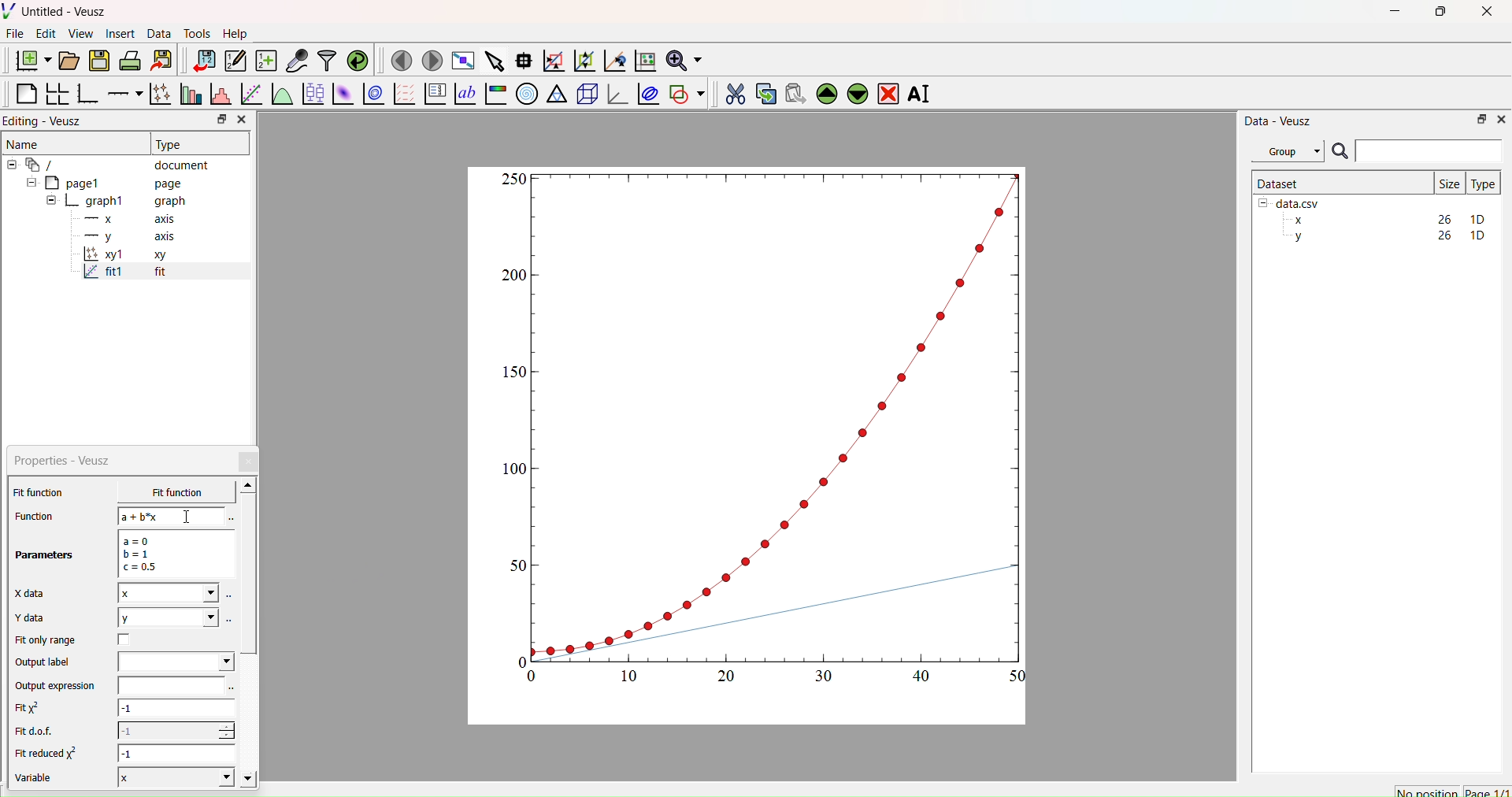 This screenshot has width=1512, height=797. I want to click on Arrange graphs in grid, so click(57, 95).